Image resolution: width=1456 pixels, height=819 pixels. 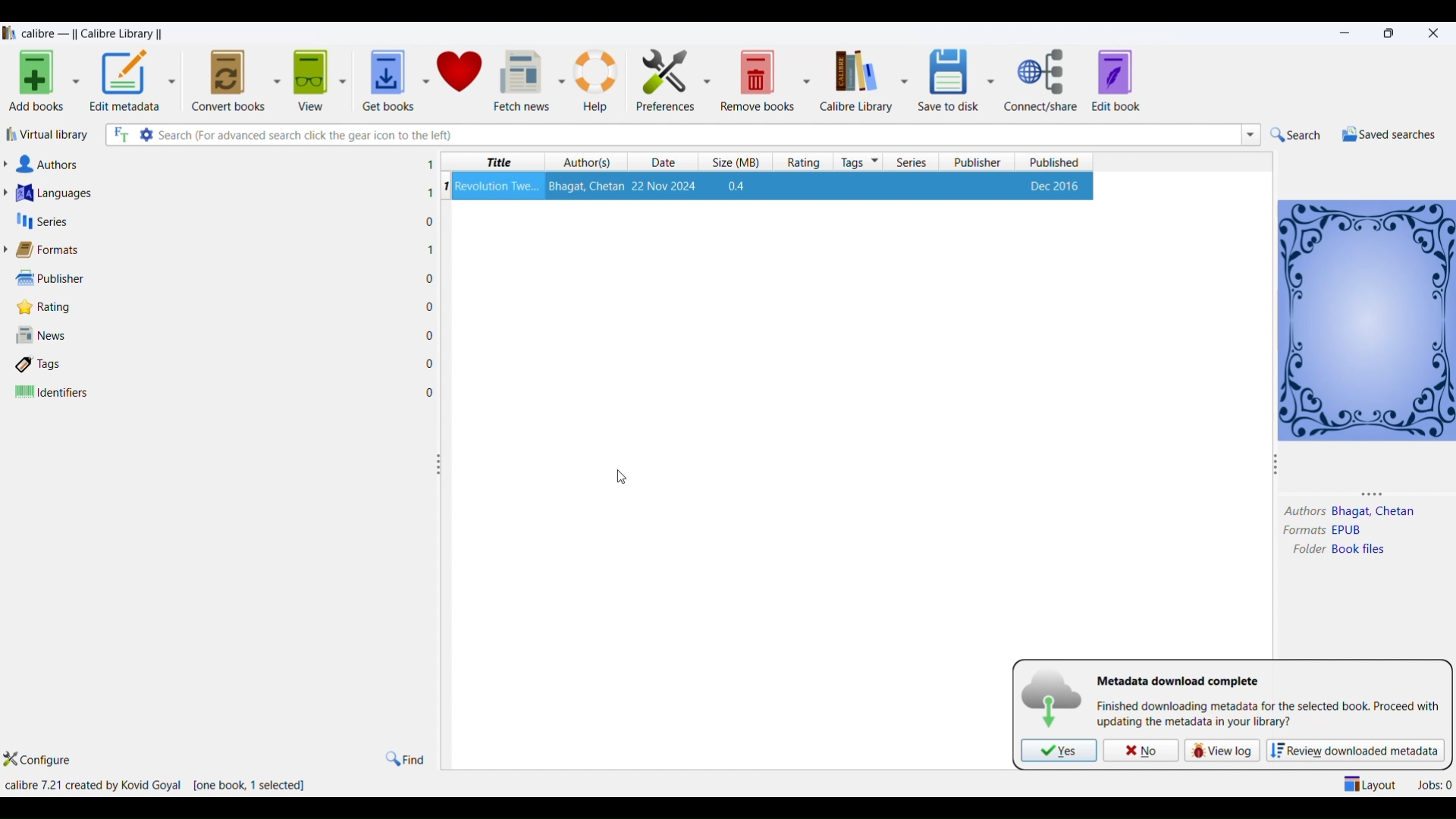 What do you see at coordinates (429, 334) in the screenshot?
I see `0` at bounding box center [429, 334].